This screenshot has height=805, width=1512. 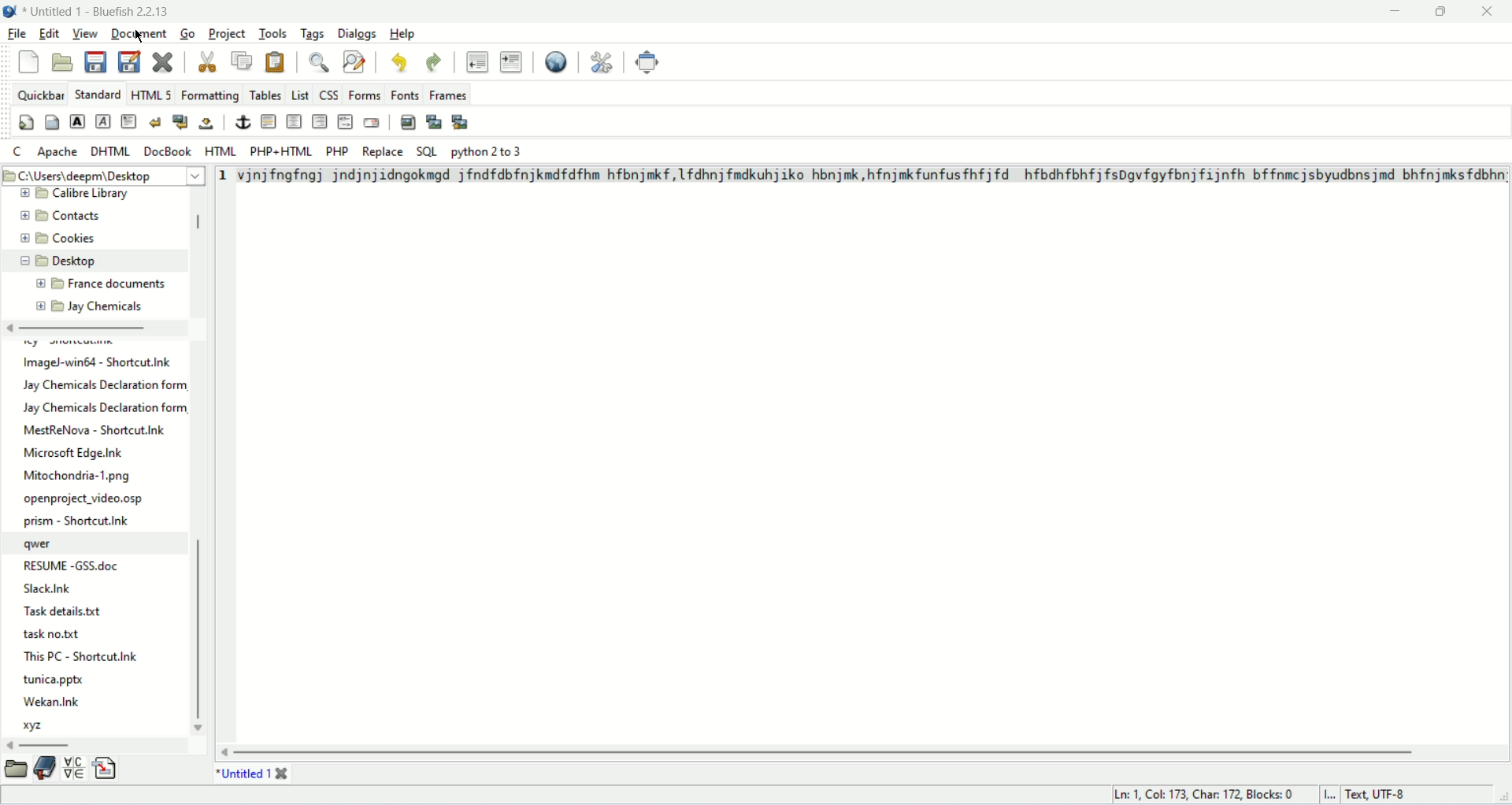 What do you see at coordinates (41, 544) in the screenshot?
I see `qwer` at bounding box center [41, 544].